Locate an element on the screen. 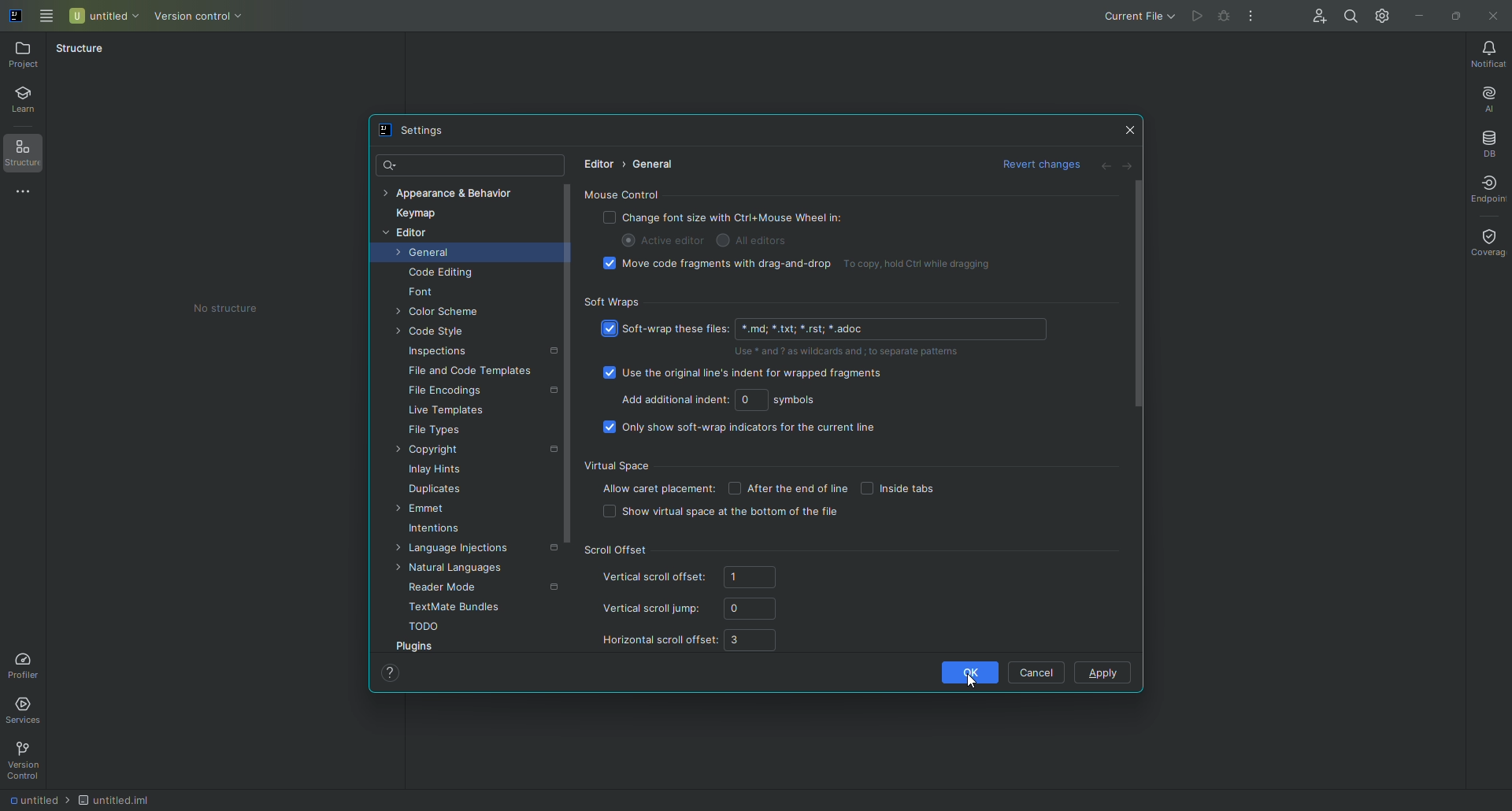  No structure is located at coordinates (234, 311).